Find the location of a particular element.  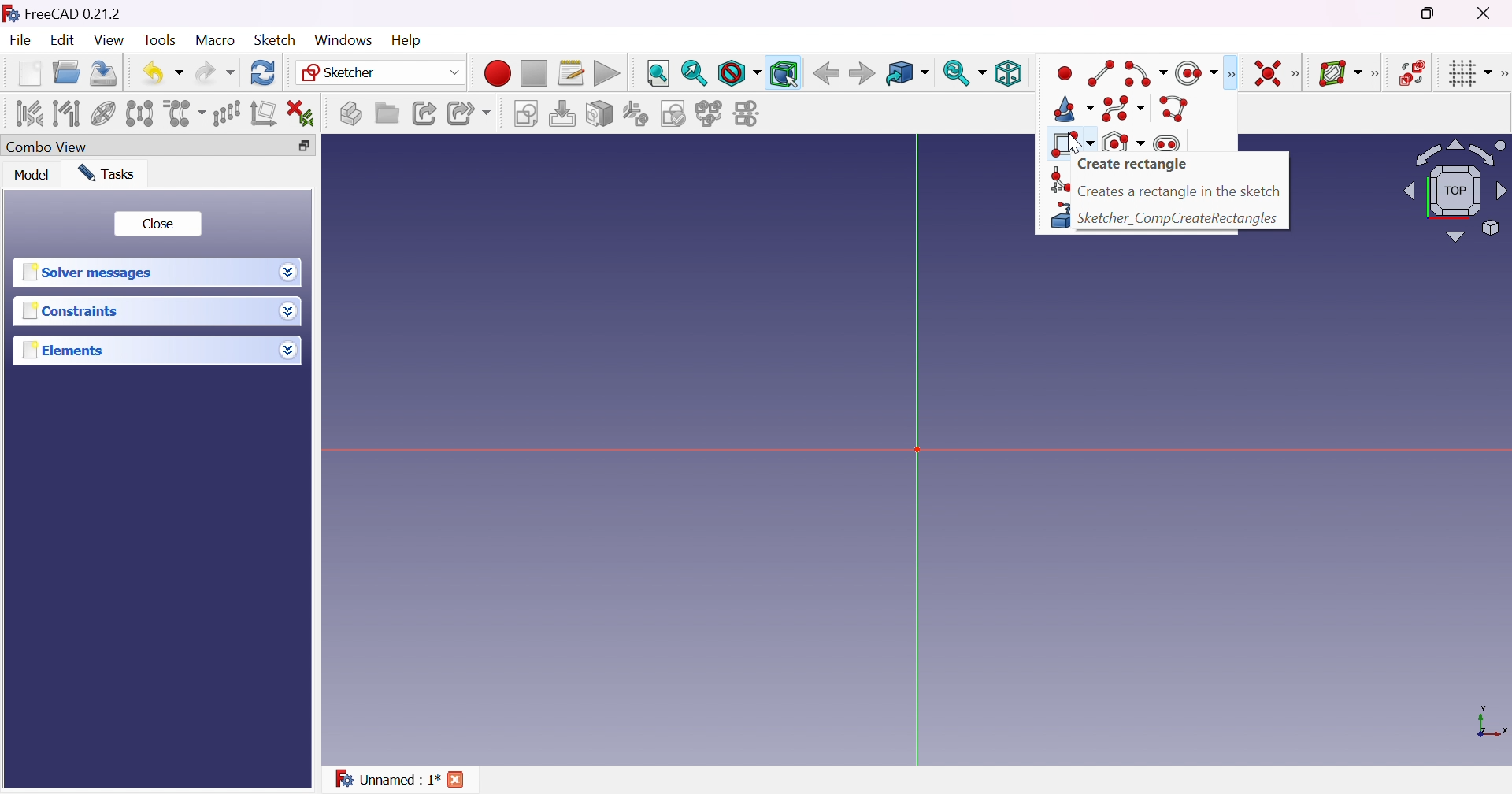

Sync view is located at coordinates (964, 75).